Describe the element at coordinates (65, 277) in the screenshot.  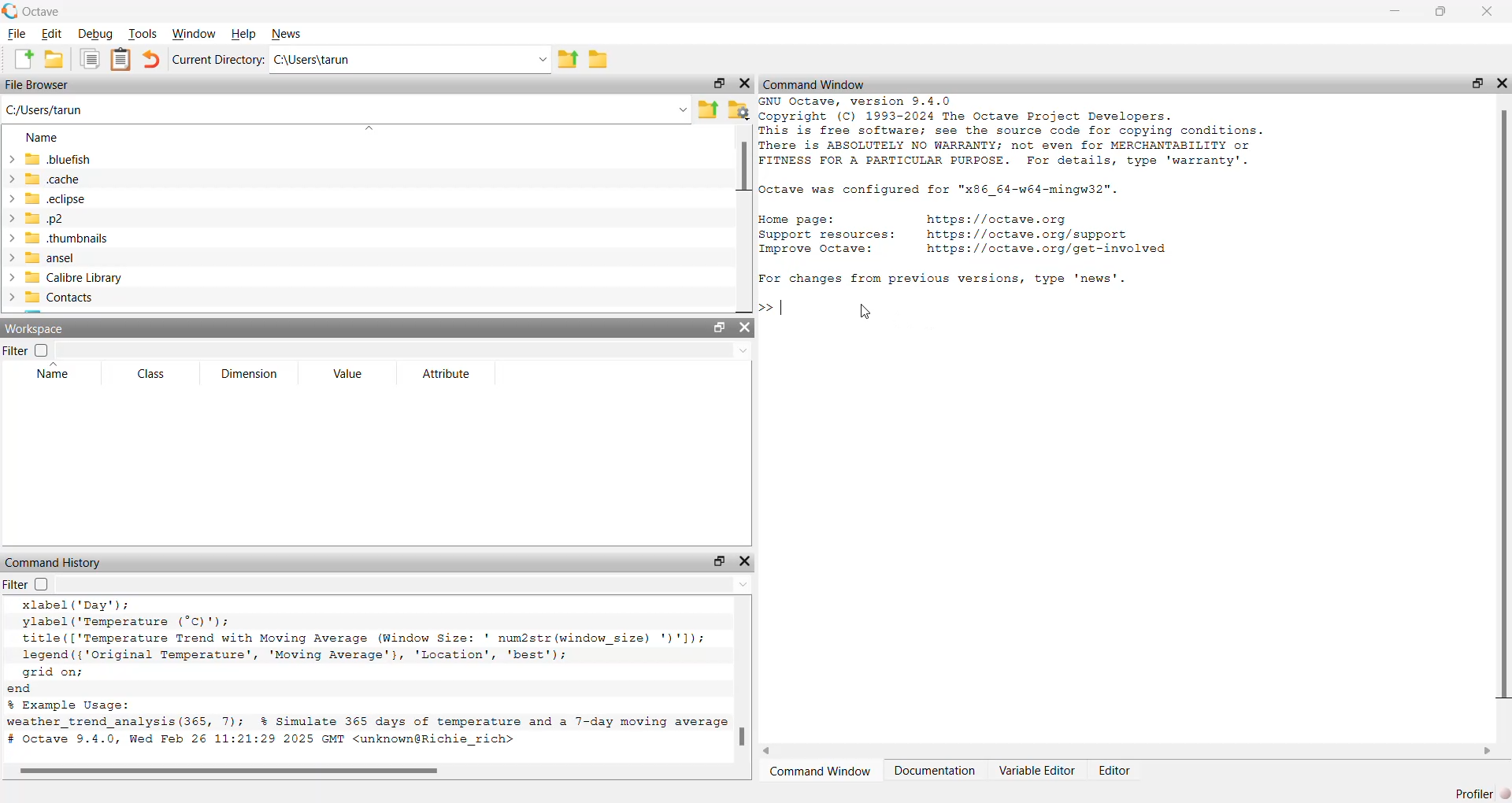
I see `Calibre Library` at that location.